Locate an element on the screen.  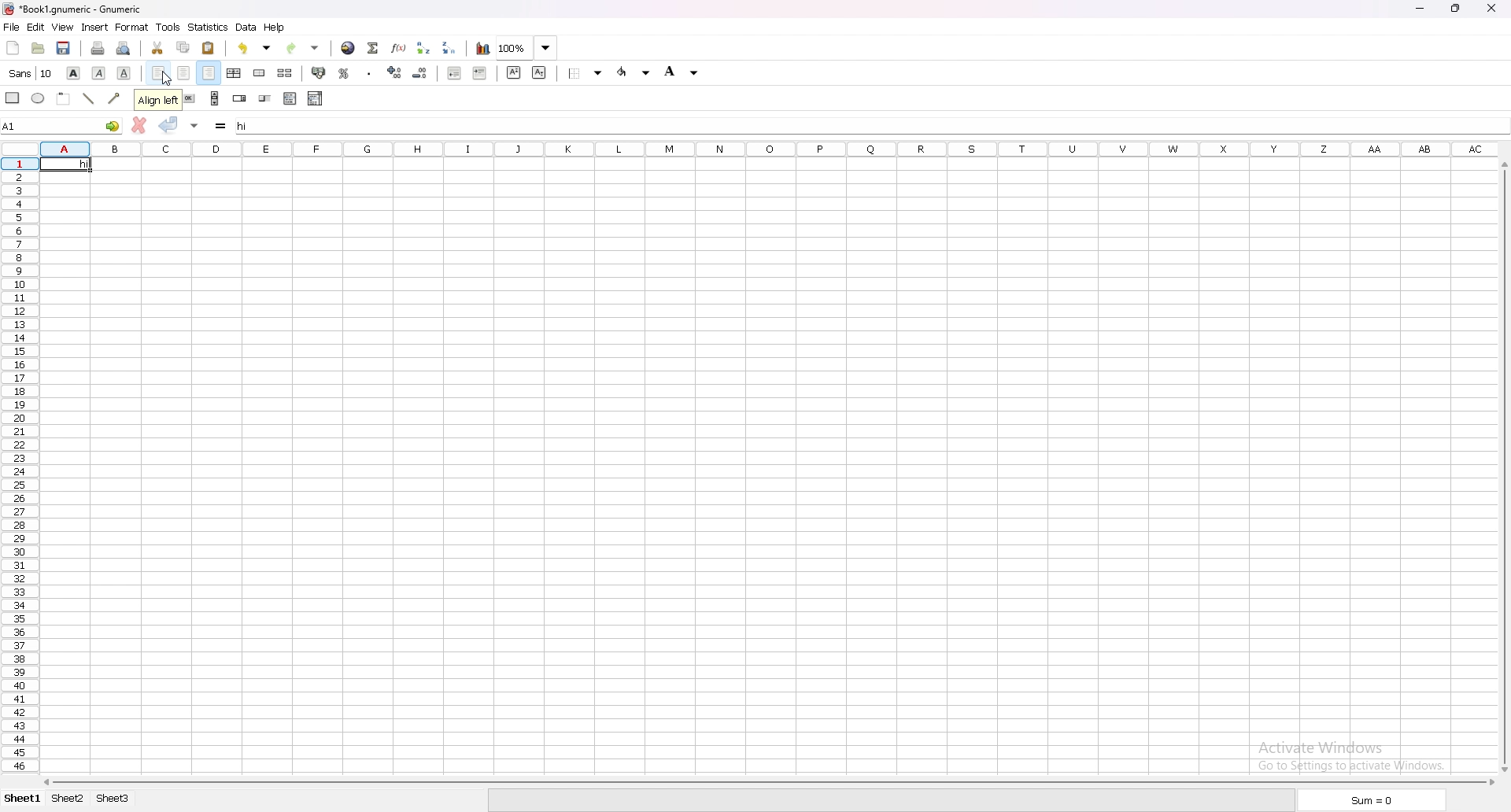
accept changes in all cell is located at coordinates (194, 127).